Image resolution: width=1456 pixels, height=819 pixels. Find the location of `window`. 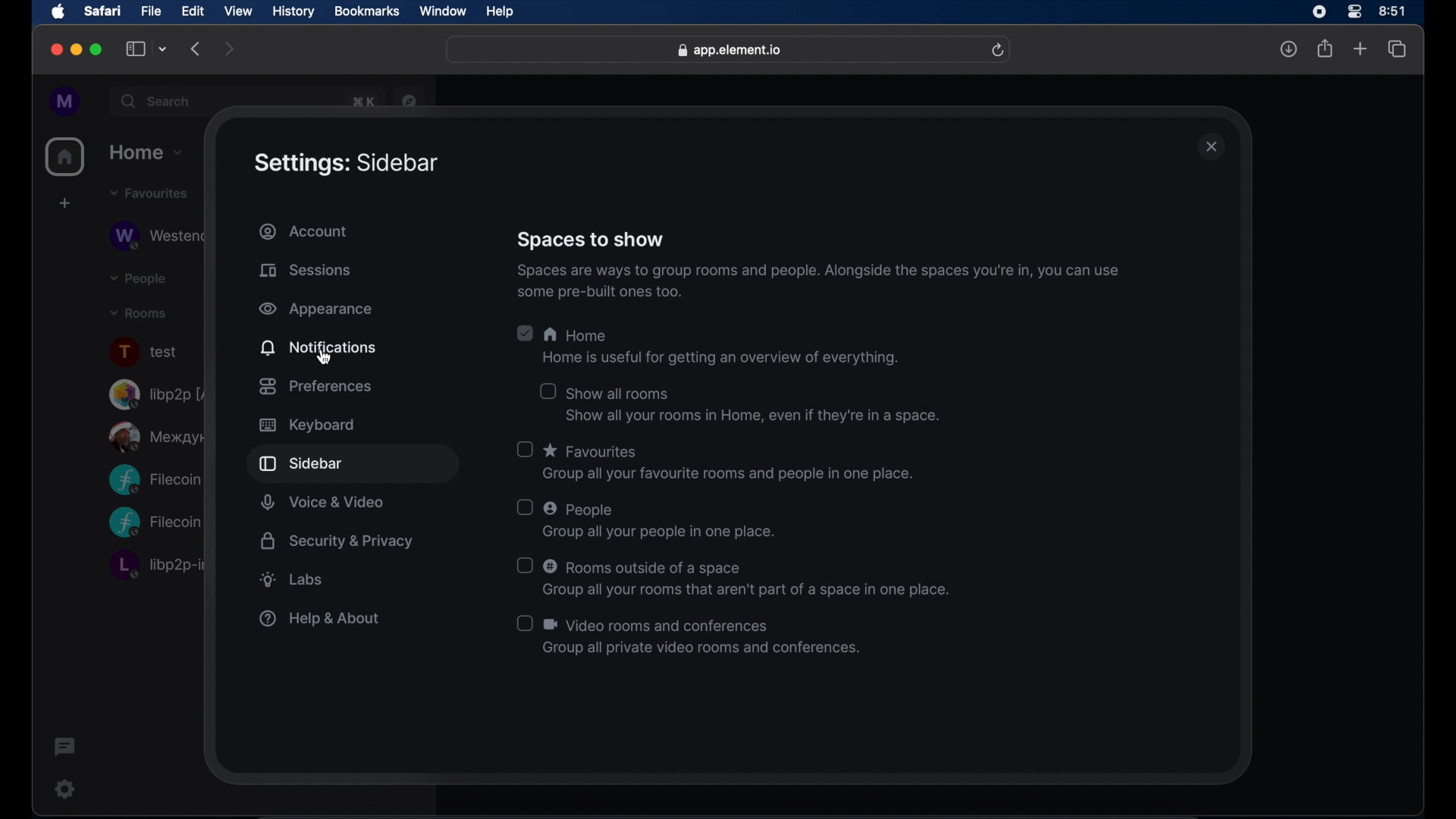

window is located at coordinates (443, 11).